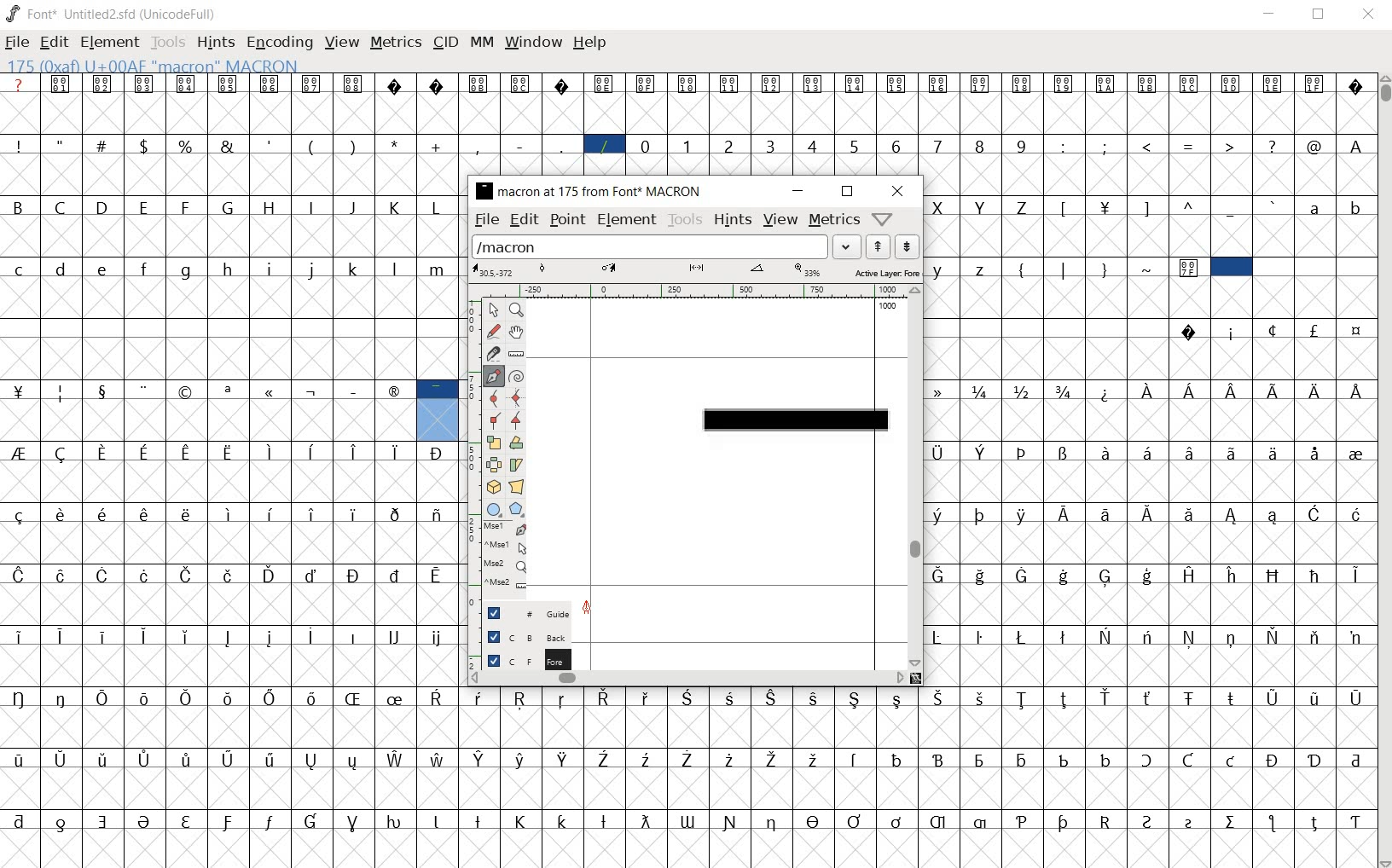  I want to click on Symbol, so click(1022, 759).